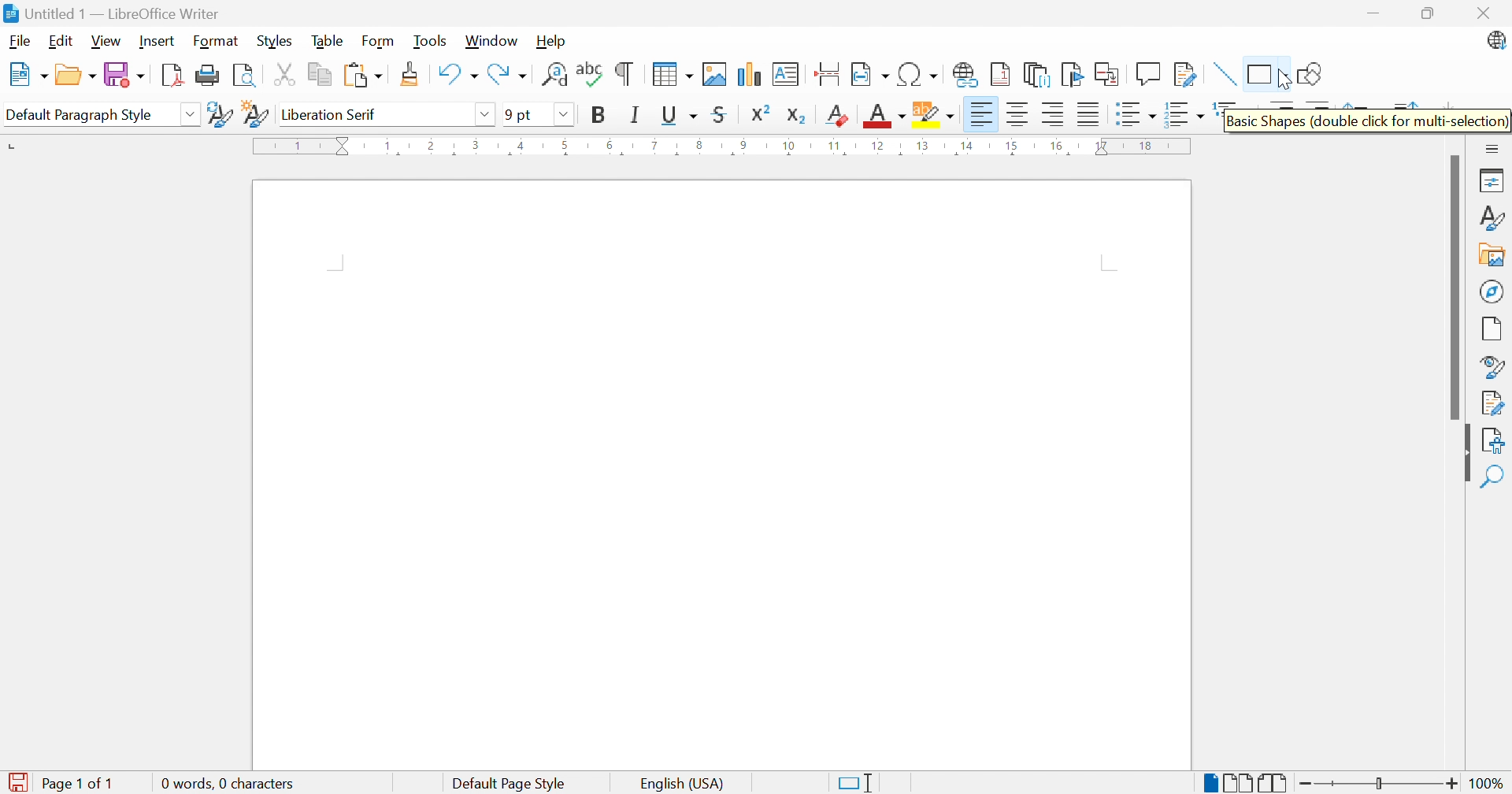  Describe the element at coordinates (20, 43) in the screenshot. I see `File` at that location.